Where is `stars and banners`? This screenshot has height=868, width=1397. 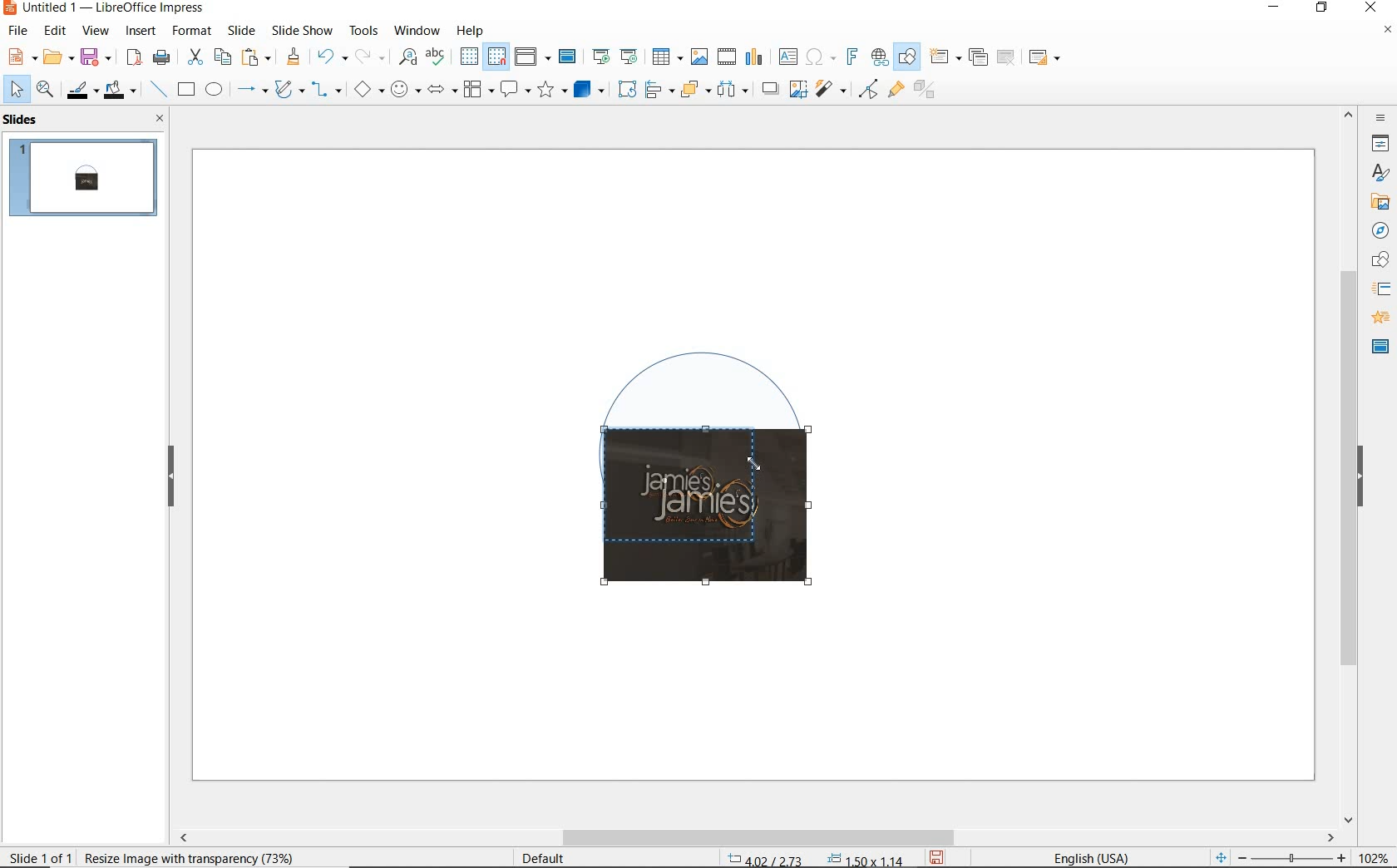
stars and banners is located at coordinates (551, 91).